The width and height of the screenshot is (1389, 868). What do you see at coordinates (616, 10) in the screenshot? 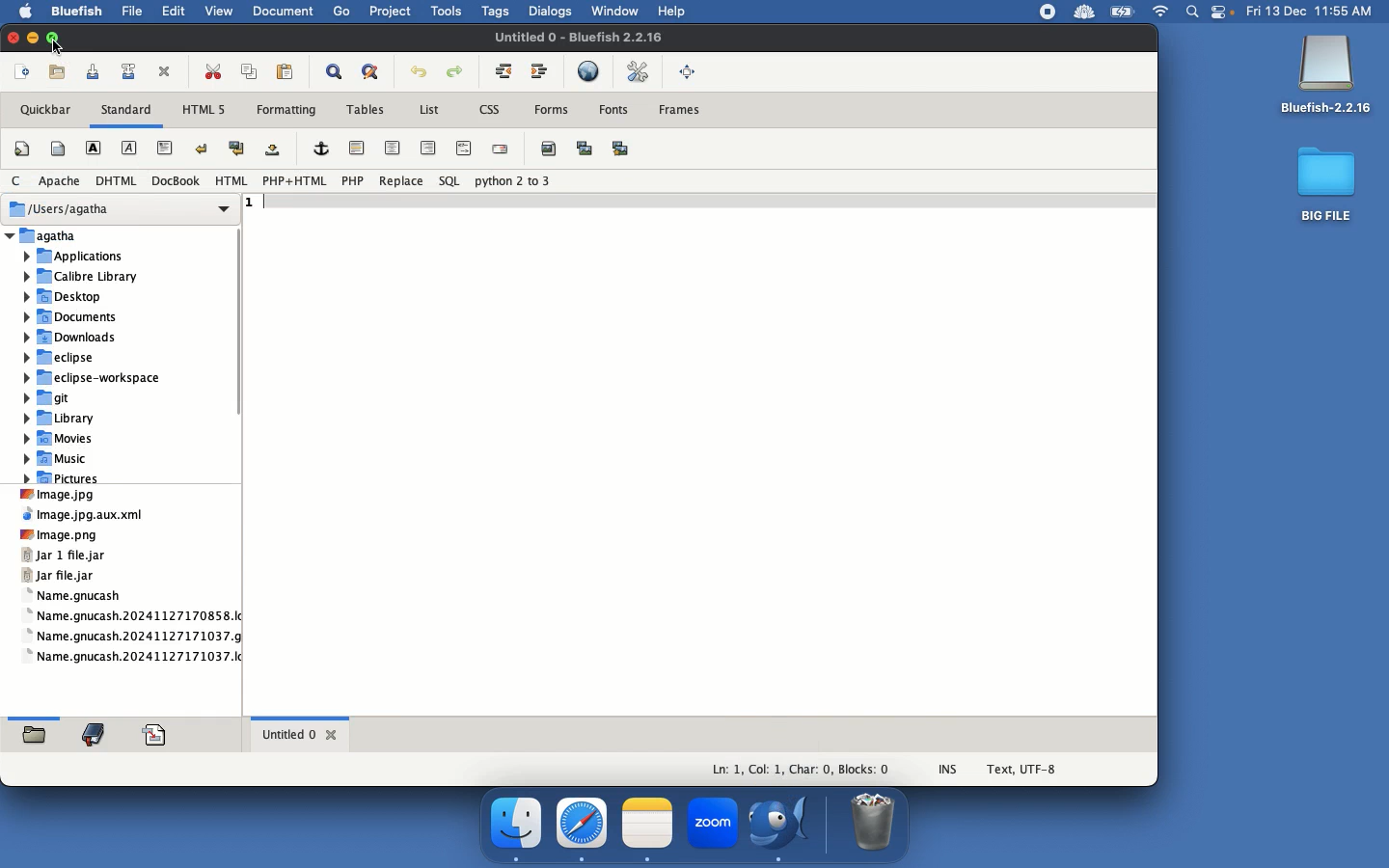
I see `windows` at bounding box center [616, 10].